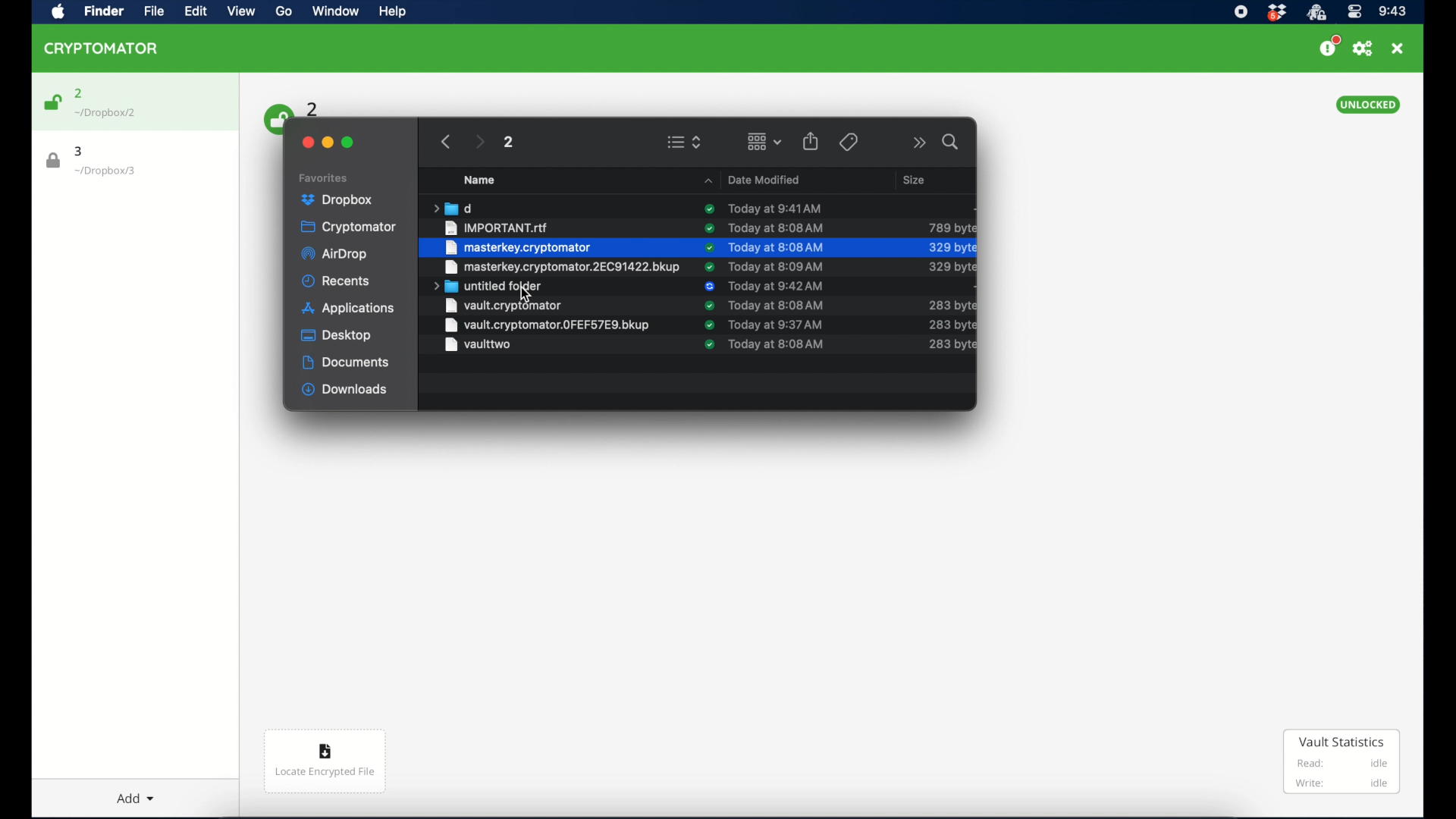  I want to click on tags, so click(848, 142).